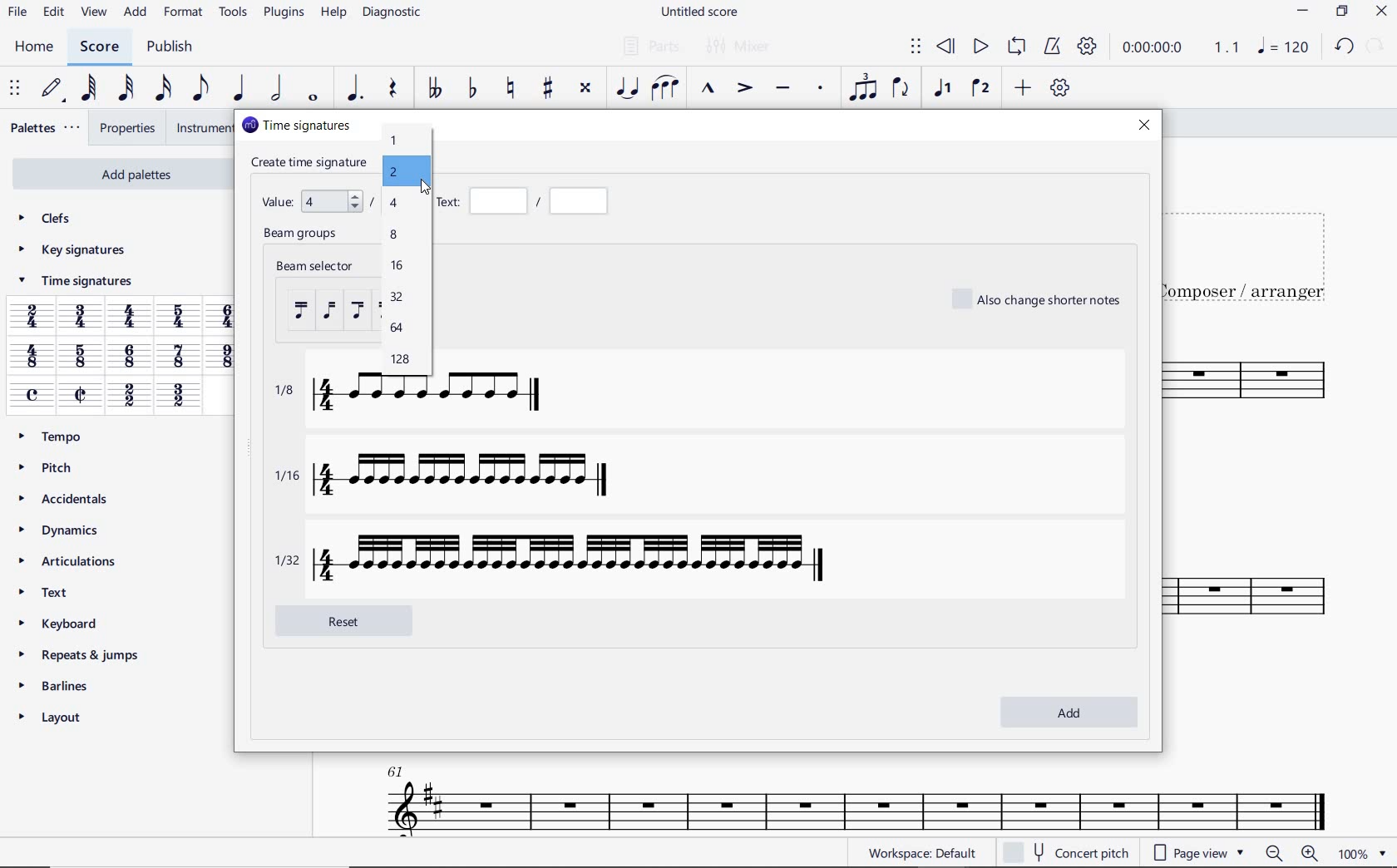 Image resolution: width=1397 pixels, height=868 pixels. I want to click on SELECT TO MOVE, so click(916, 47).